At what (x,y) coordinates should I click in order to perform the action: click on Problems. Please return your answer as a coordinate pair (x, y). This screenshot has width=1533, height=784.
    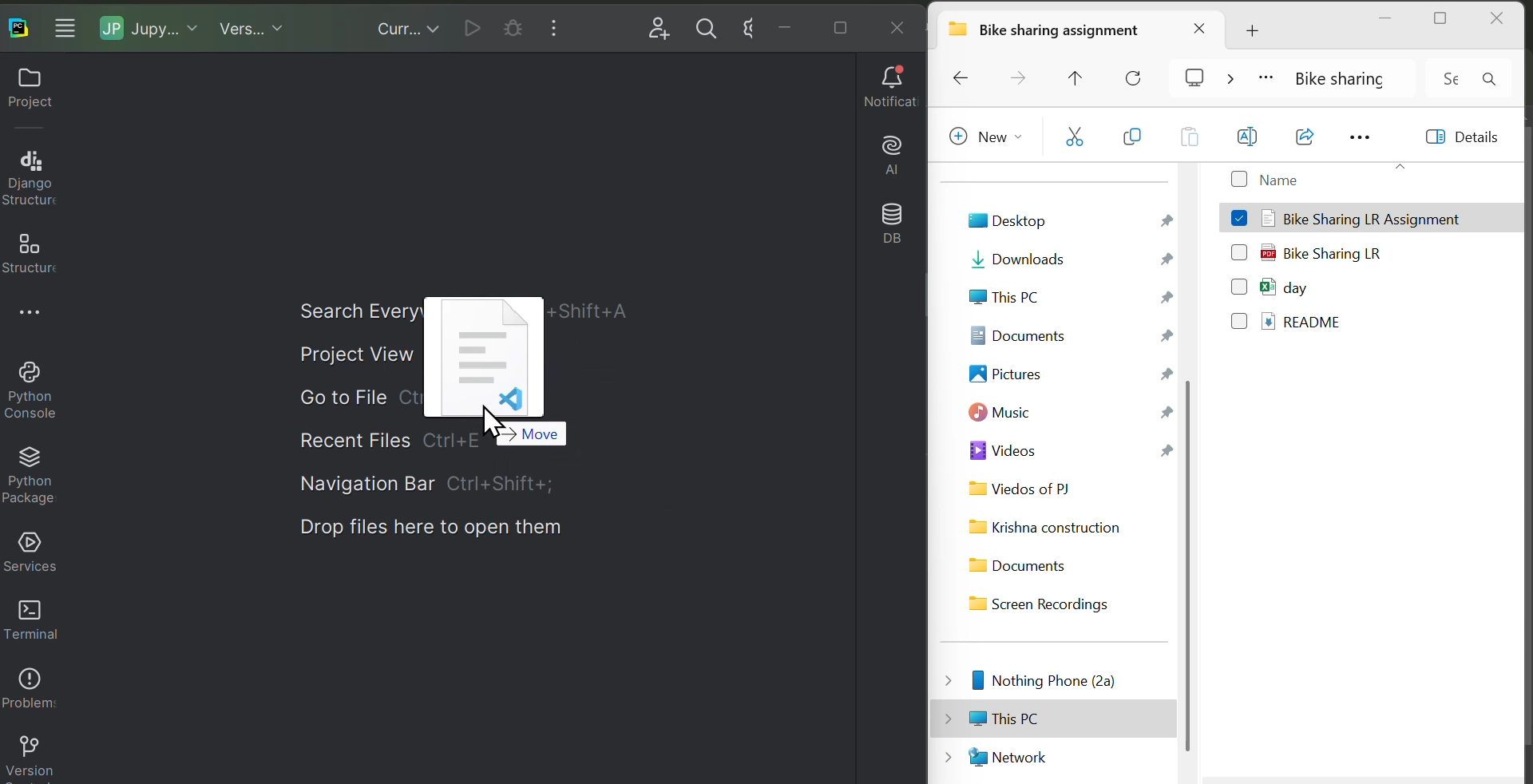
    Looking at the image, I should click on (30, 695).